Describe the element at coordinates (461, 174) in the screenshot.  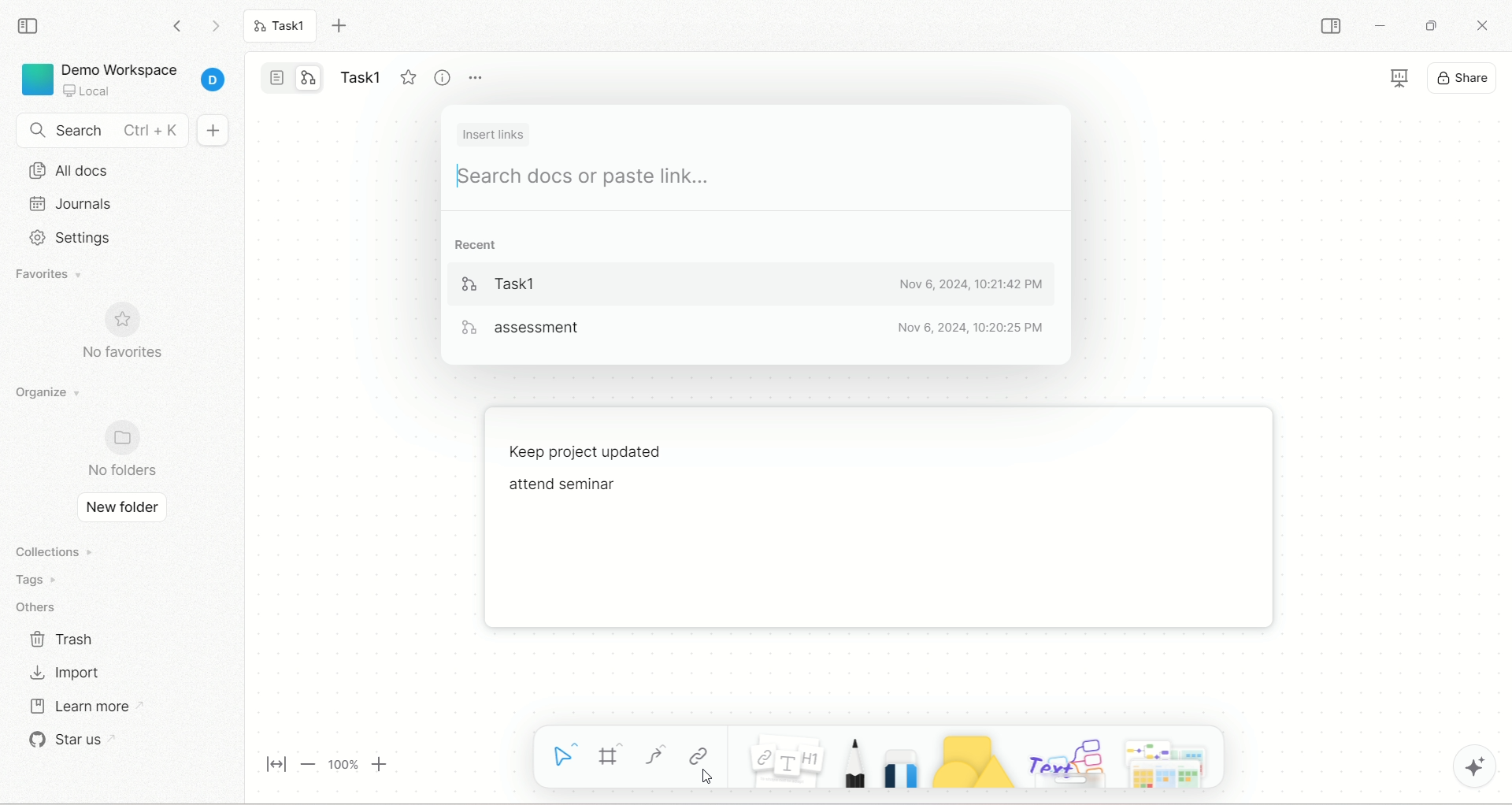
I see `cursor` at that location.